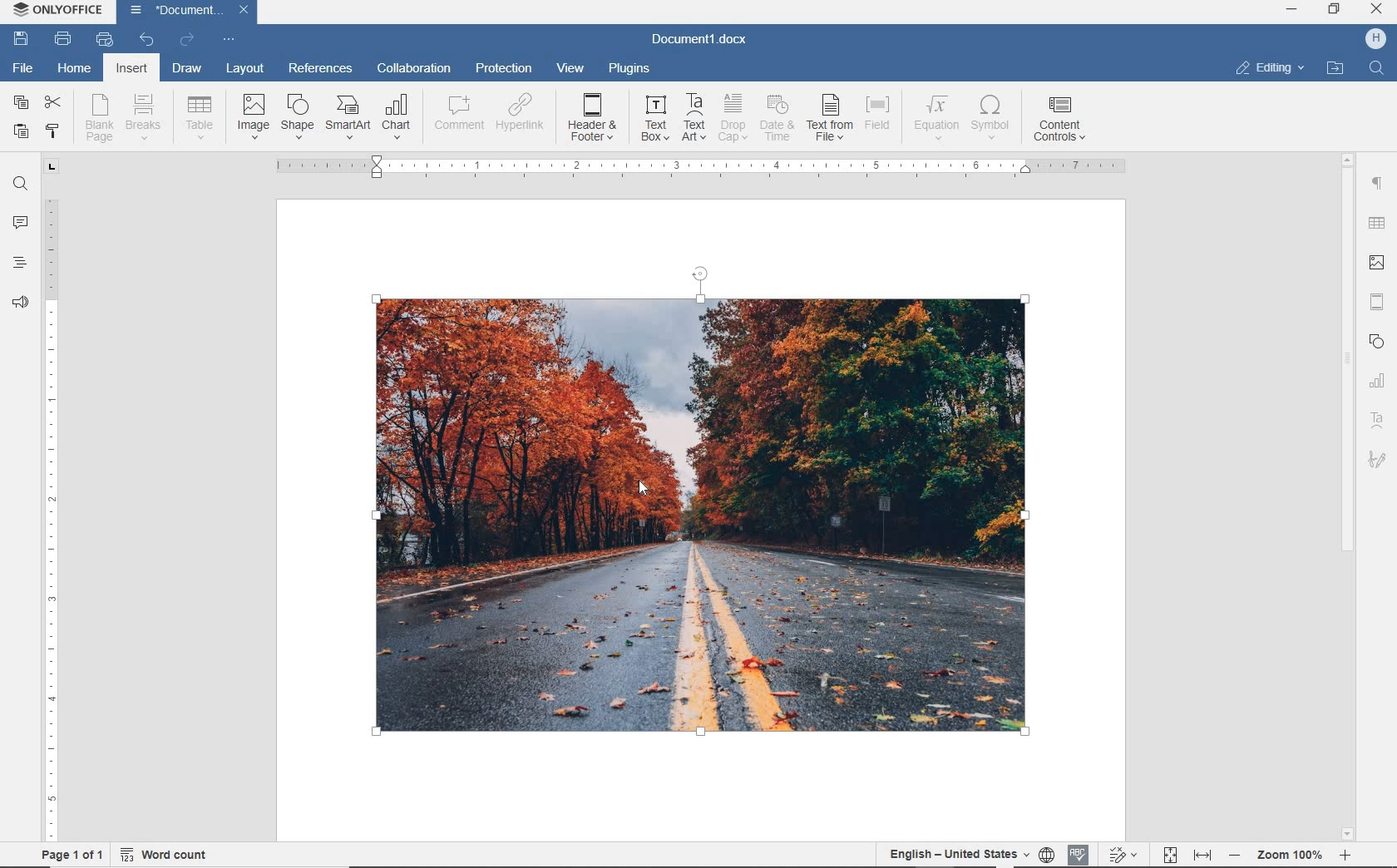  Describe the element at coordinates (1291, 8) in the screenshot. I see `minimize` at that location.